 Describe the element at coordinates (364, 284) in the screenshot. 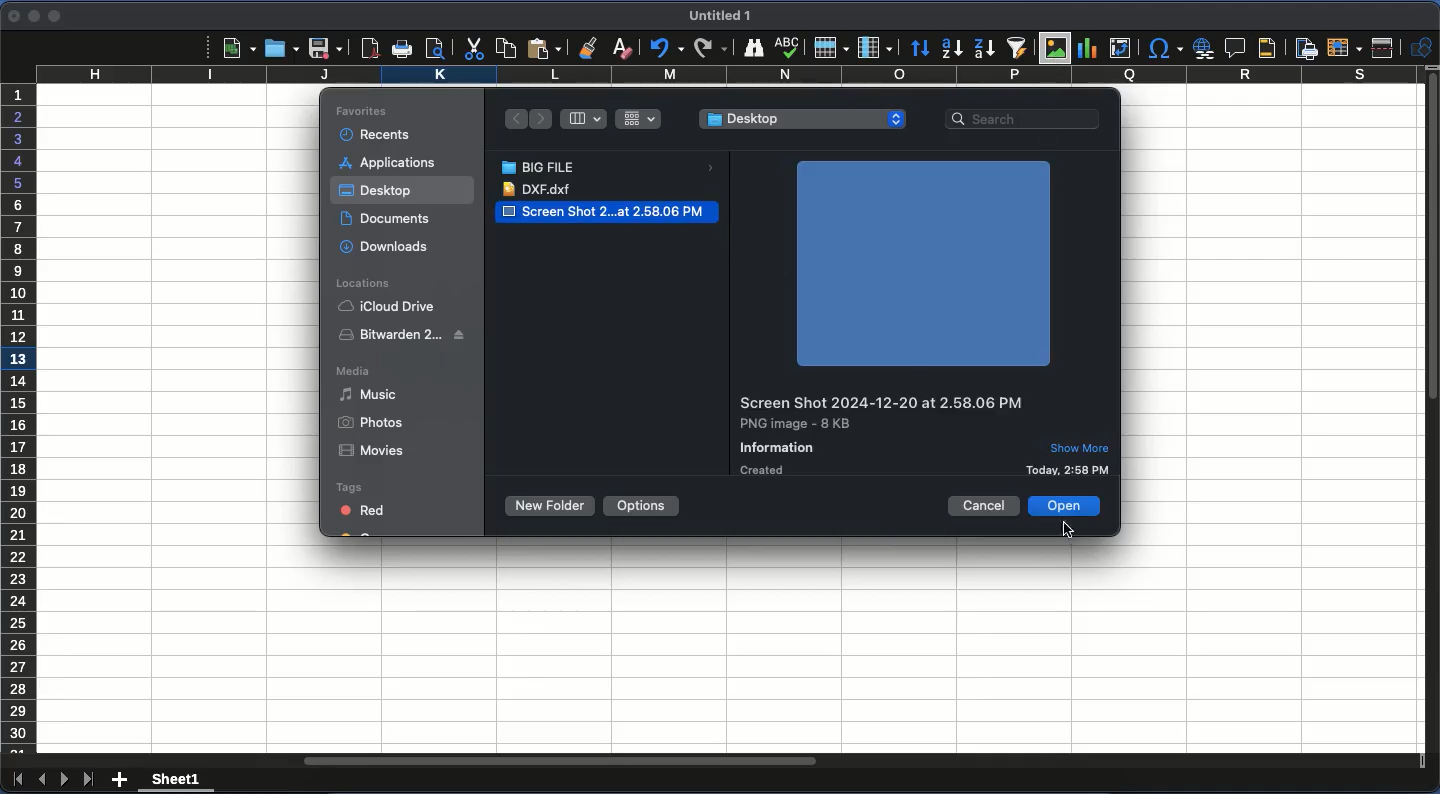

I see `locations` at that location.